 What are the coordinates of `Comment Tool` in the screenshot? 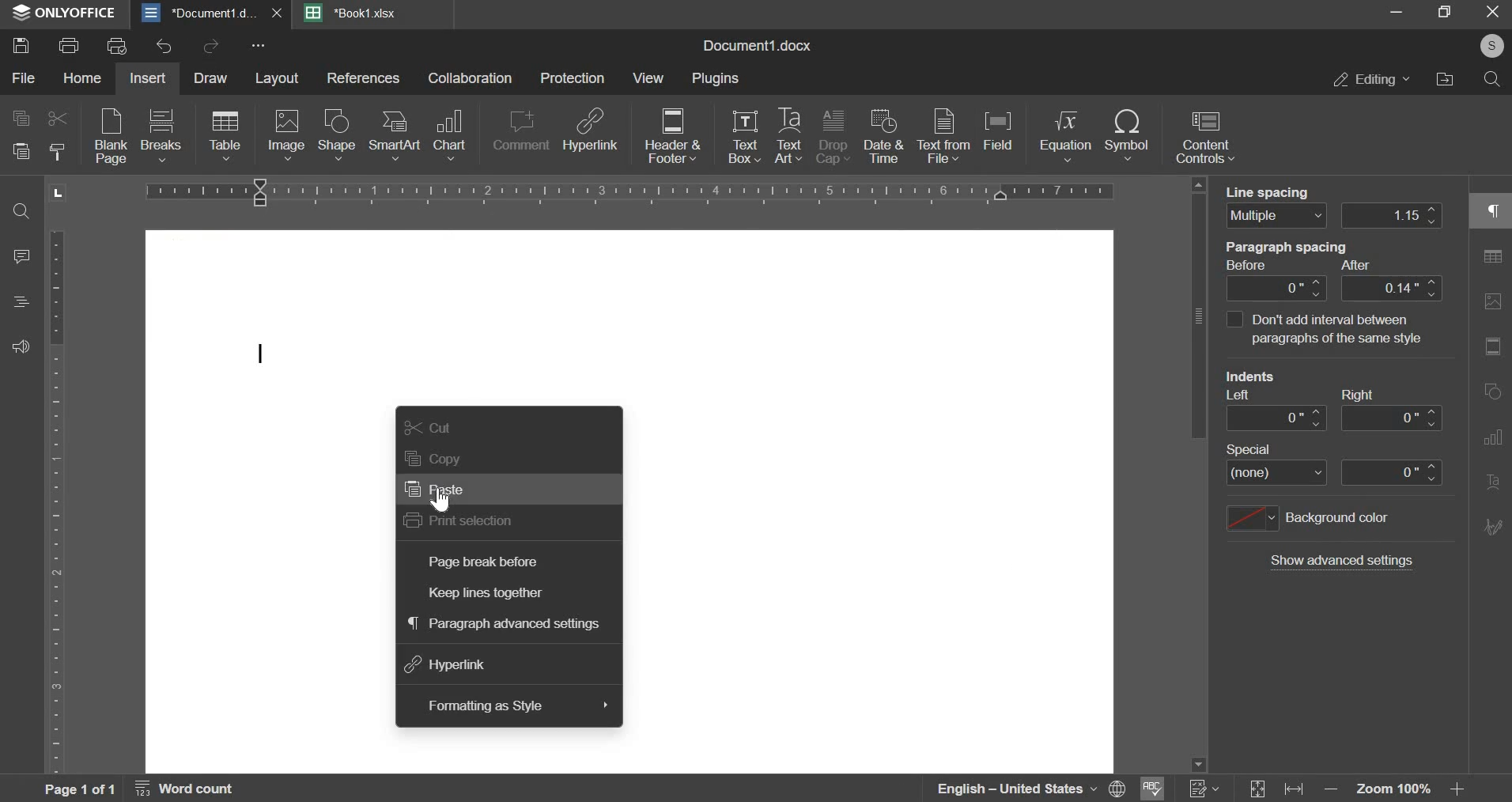 It's located at (1492, 435).